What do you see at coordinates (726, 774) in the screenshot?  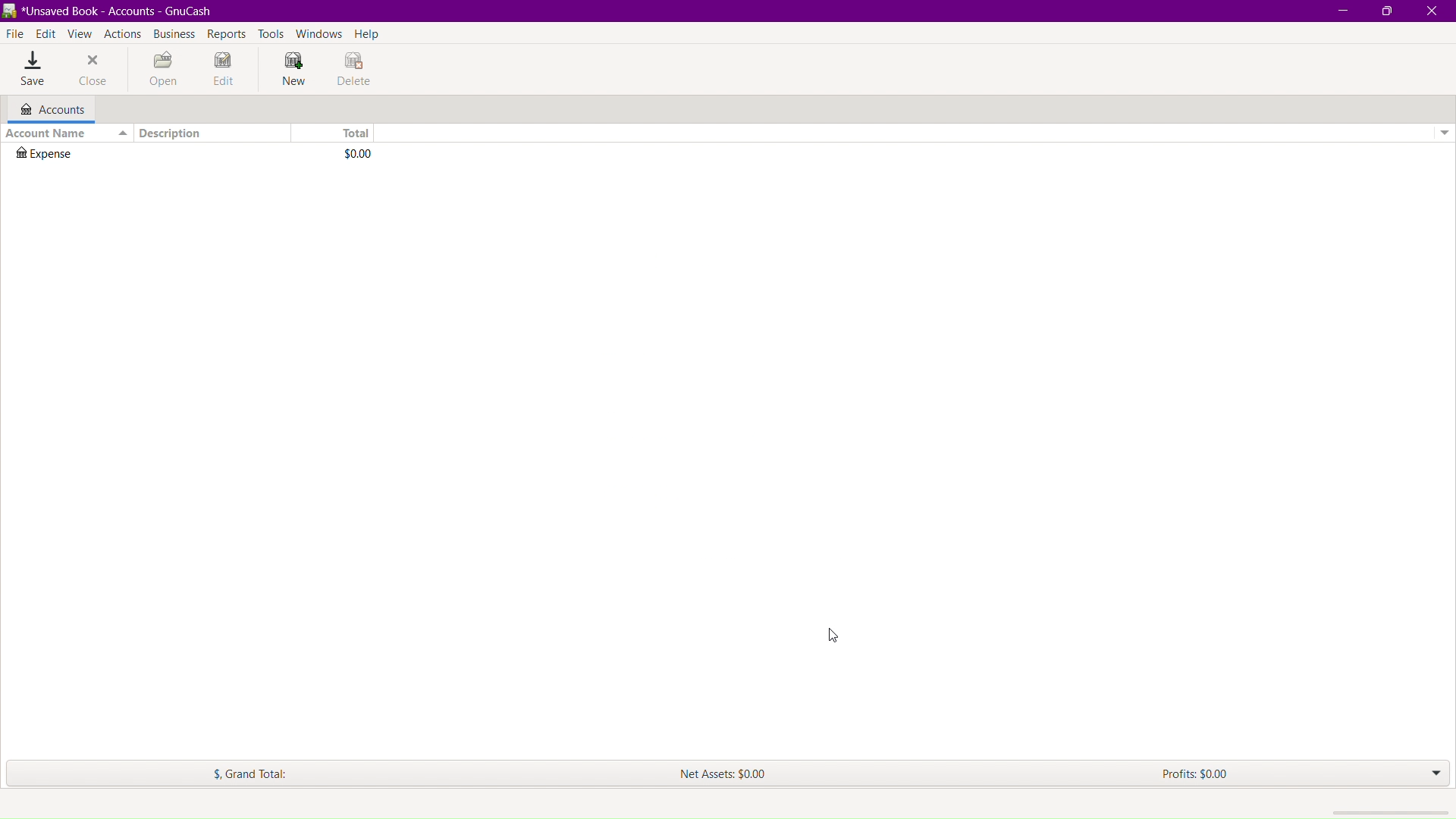 I see `Net Assets: $0.00` at bounding box center [726, 774].